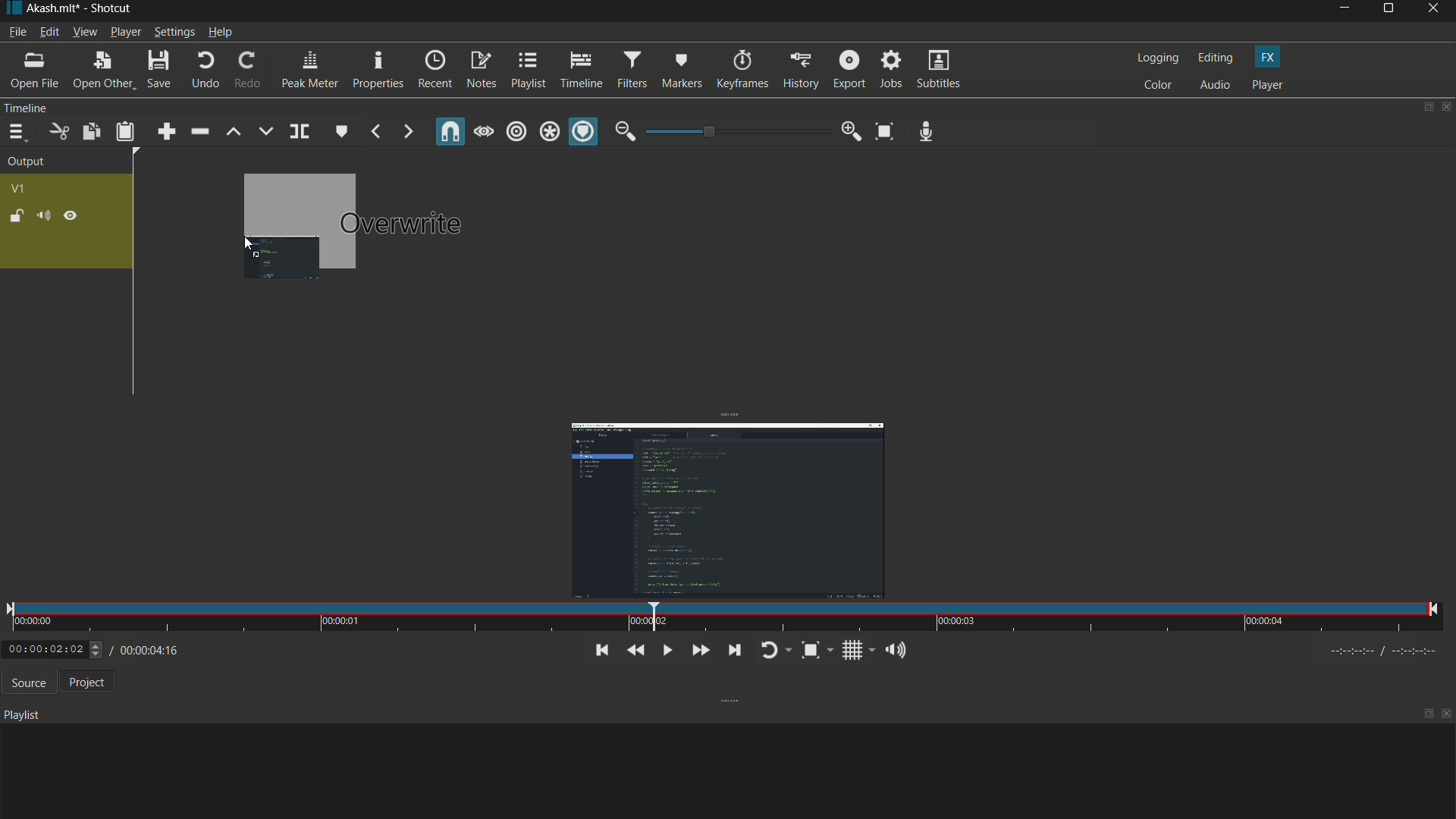  Describe the element at coordinates (527, 71) in the screenshot. I see `playlist` at that location.